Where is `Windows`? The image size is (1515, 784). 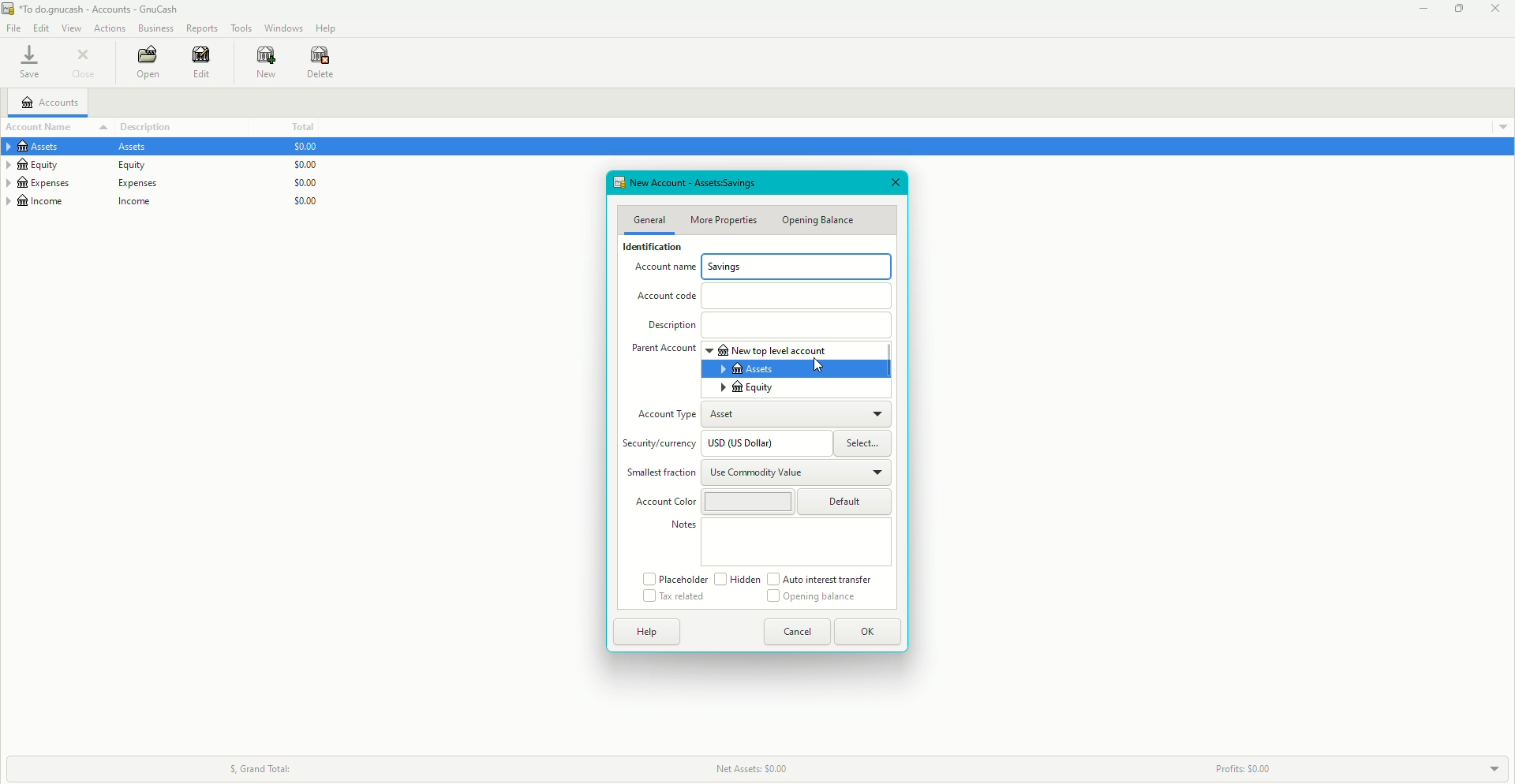 Windows is located at coordinates (282, 27).